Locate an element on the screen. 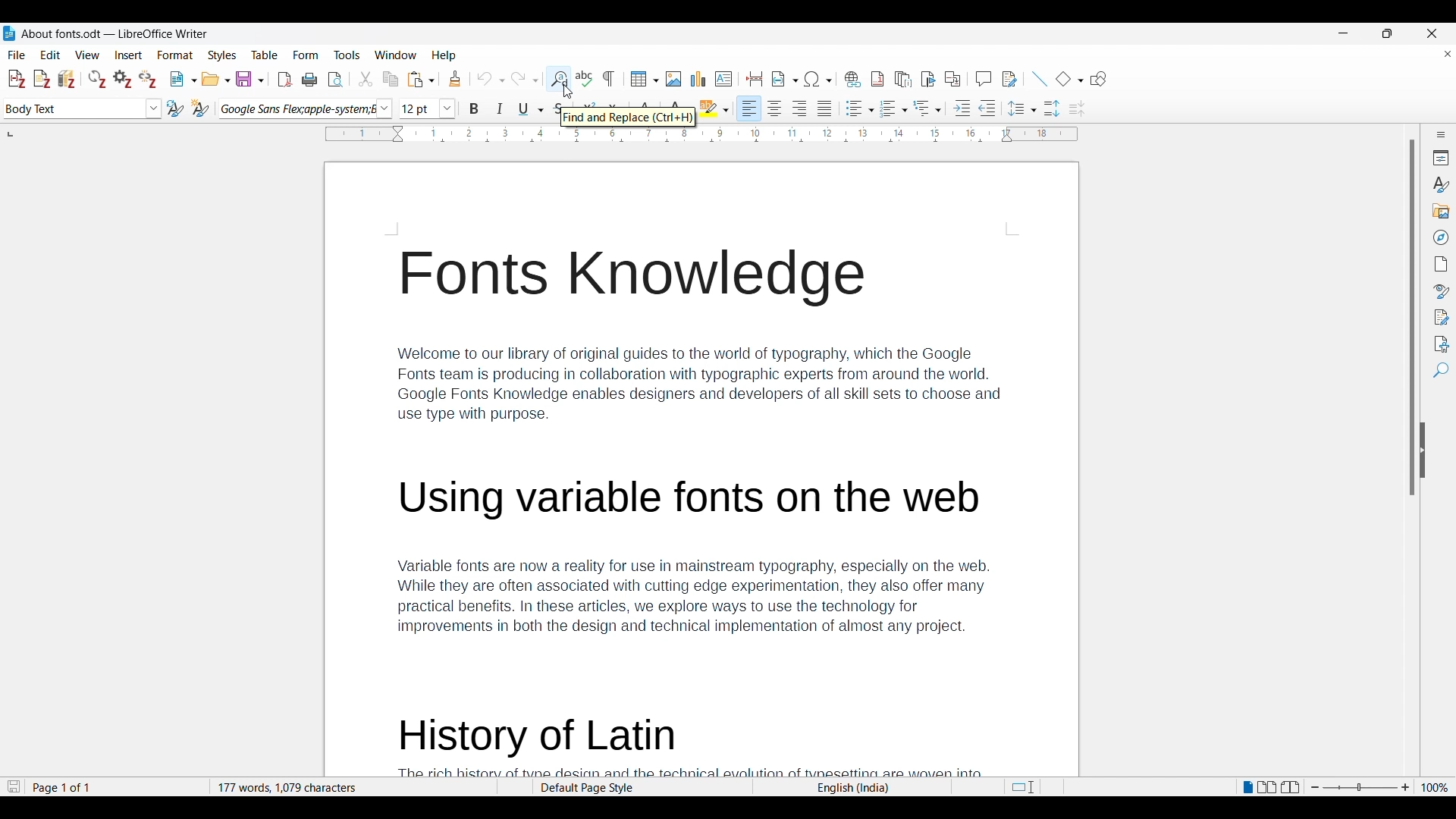  Insert menu is located at coordinates (129, 55).